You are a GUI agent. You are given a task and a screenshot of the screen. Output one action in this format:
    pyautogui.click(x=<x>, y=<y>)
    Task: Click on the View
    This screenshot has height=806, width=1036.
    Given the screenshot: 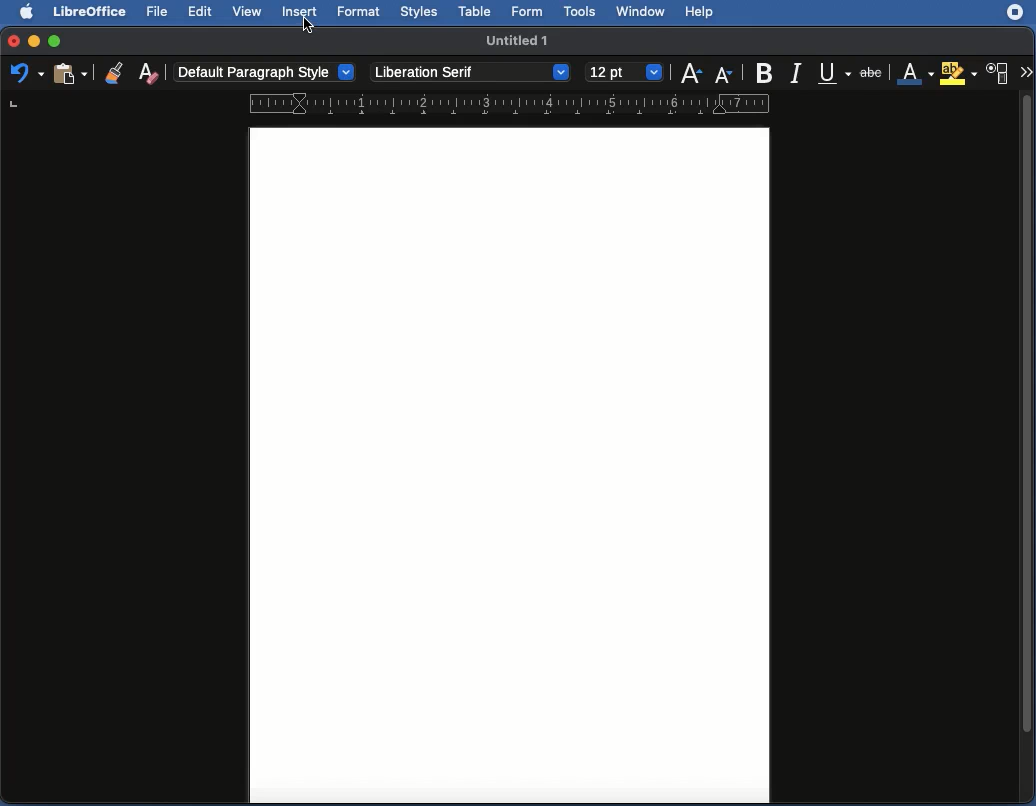 What is the action you would take?
    pyautogui.click(x=247, y=12)
    